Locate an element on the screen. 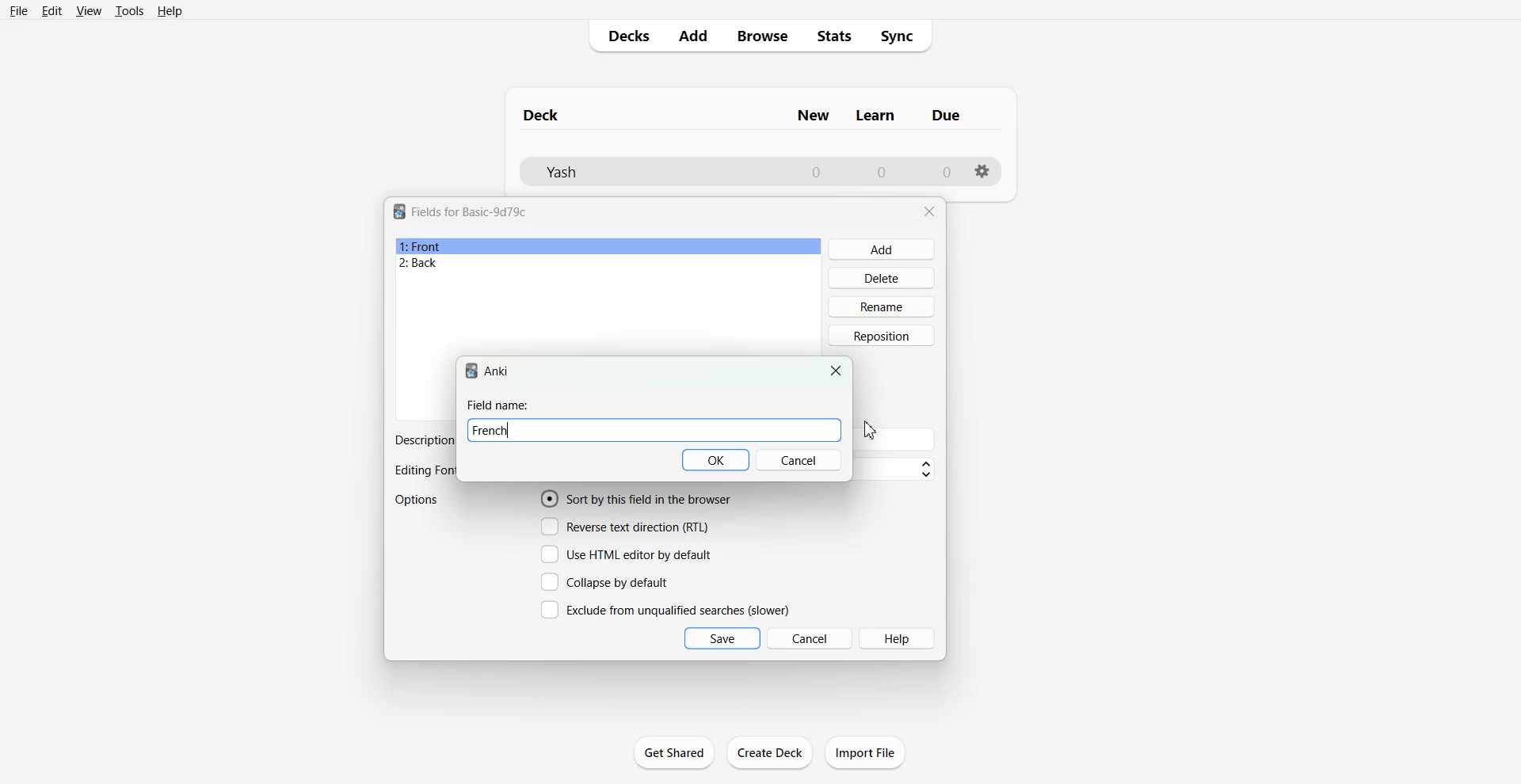  Use HTML editor by default is located at coordinates (626, 554).